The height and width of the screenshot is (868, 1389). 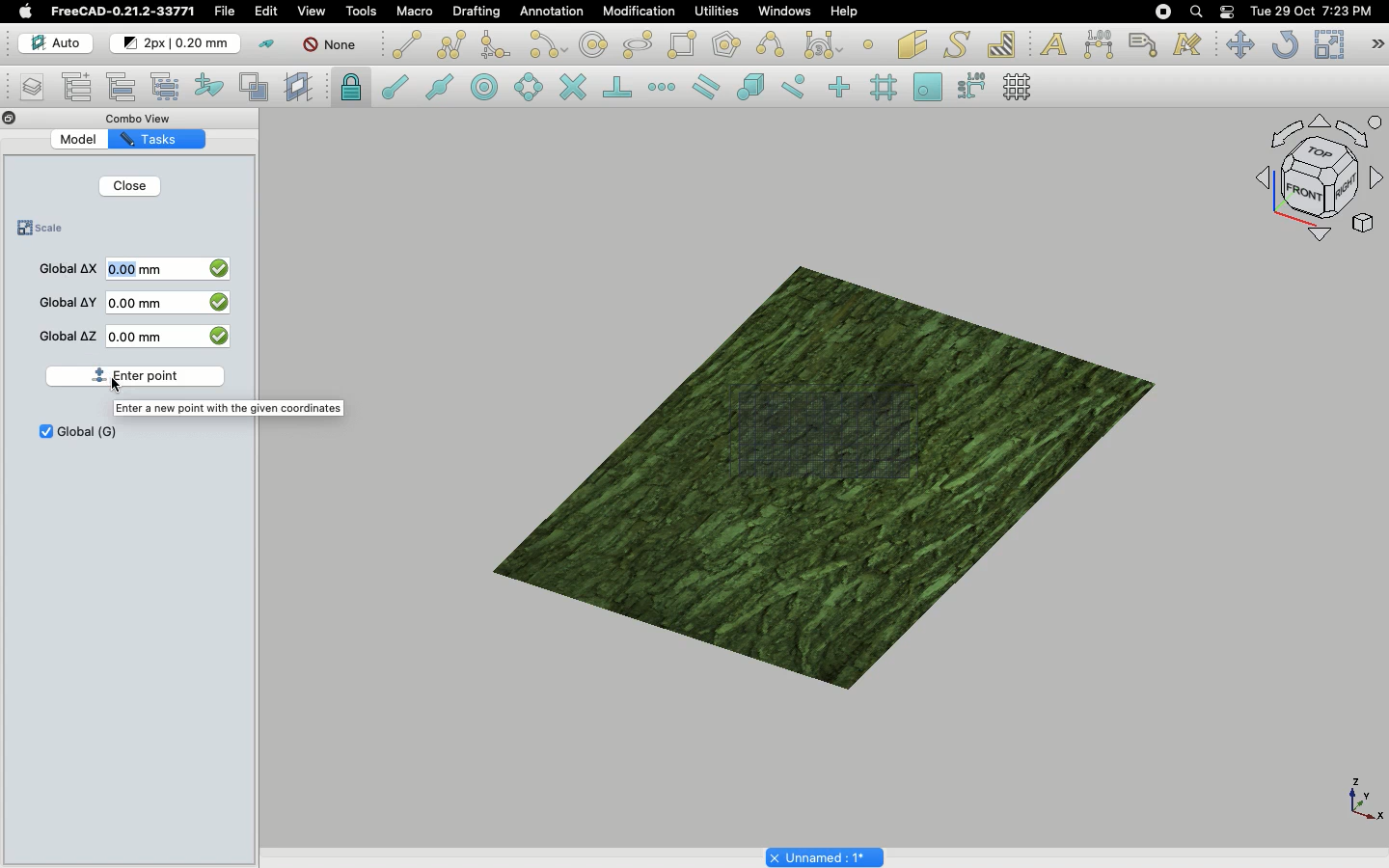 What do you see at coordinates (482, 88) in the screenshot?
I see `Snap center` at bounding box center [482, 88].